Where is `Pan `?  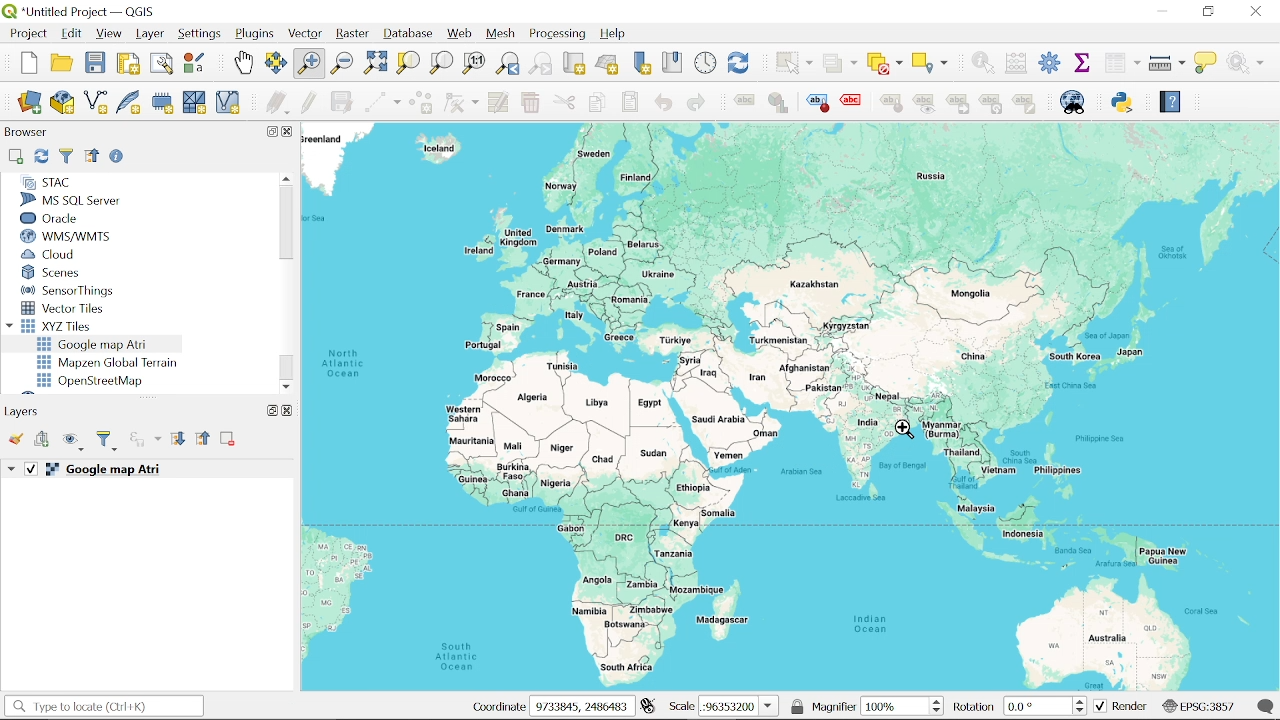
Pan  is located at coordinates (243, 63).